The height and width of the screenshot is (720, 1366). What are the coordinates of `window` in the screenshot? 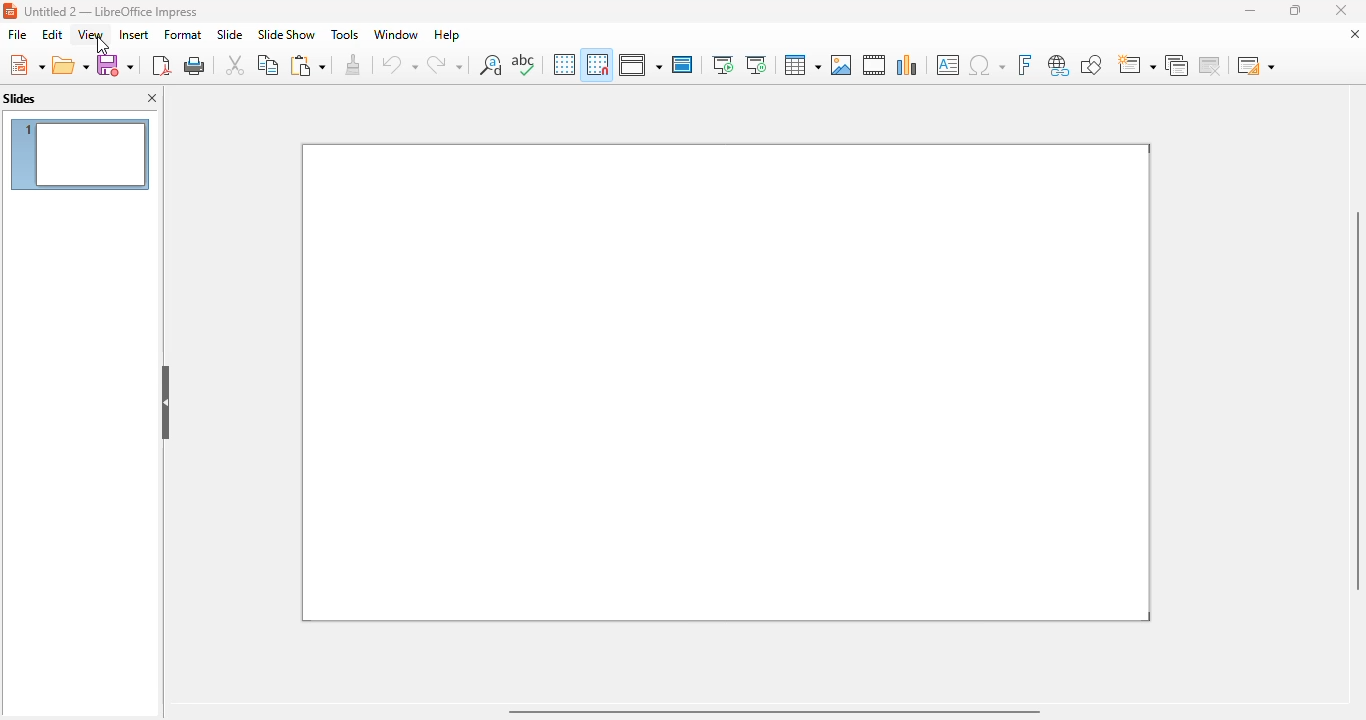 It's located at (395, 35).